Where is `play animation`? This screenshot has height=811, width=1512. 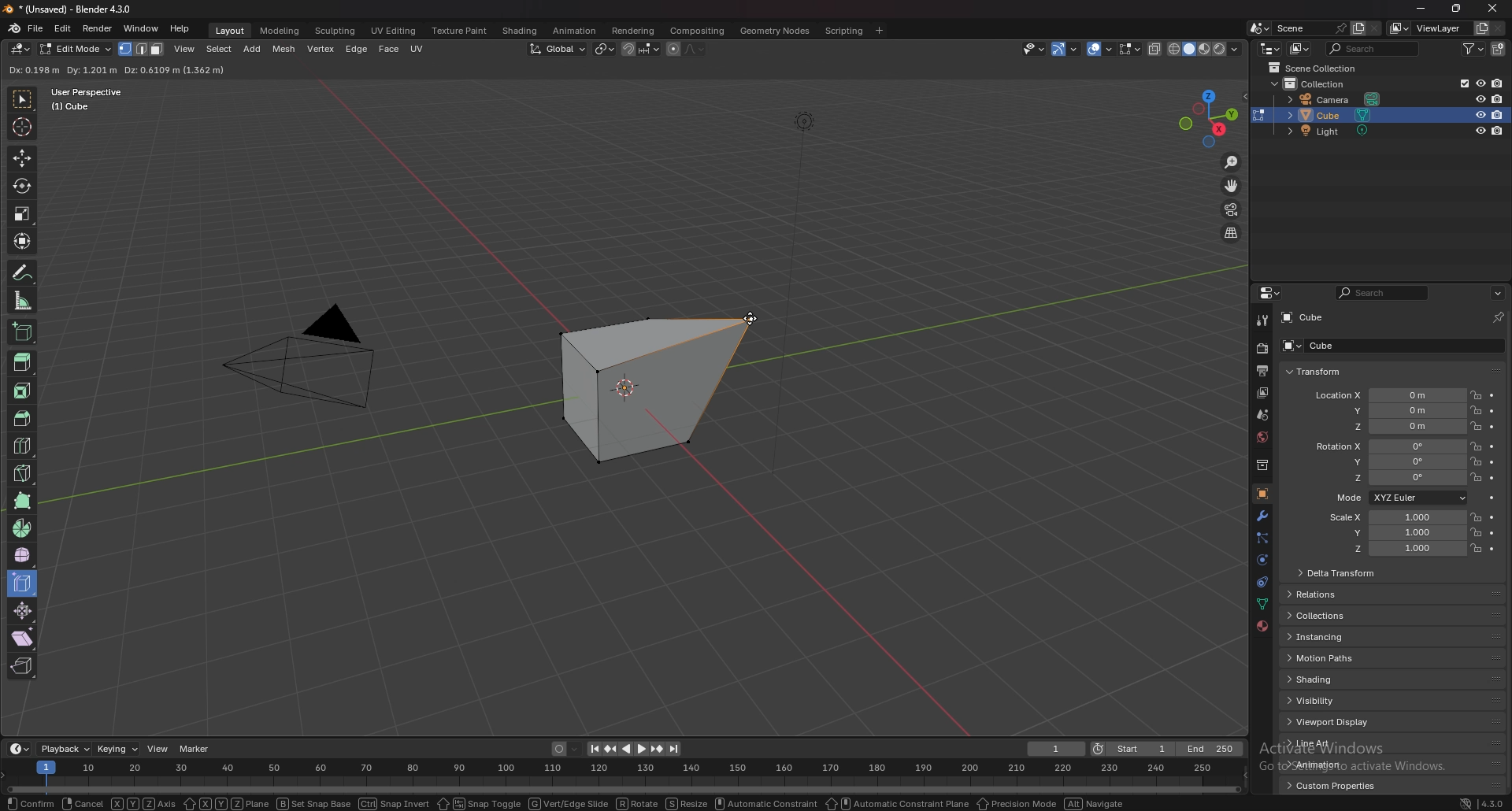
play animation is located at coordinates (633, 748).